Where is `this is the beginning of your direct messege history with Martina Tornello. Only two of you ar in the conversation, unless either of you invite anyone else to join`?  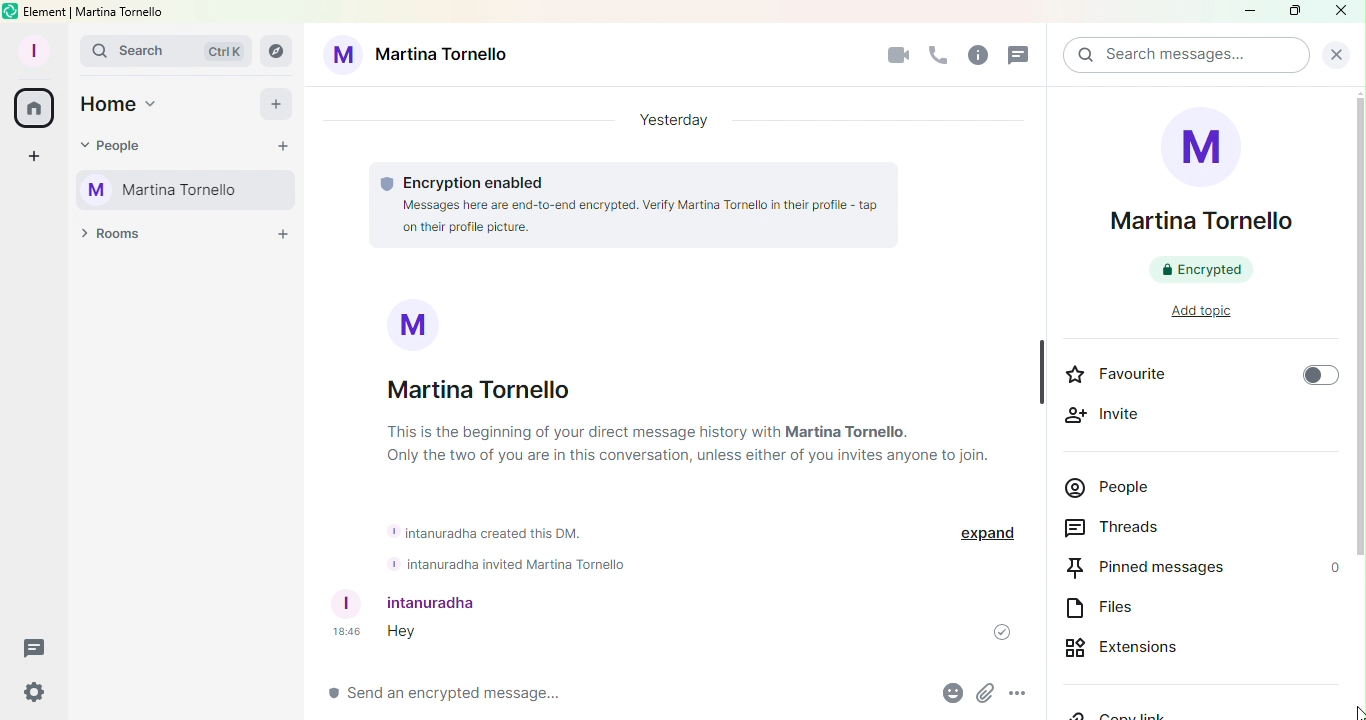 this is the beginning of your direct messege history with Martina Tornello. Only two of you ar in the conversation, unless either of you invite anyone else to join is located at coordinates (684, 444).